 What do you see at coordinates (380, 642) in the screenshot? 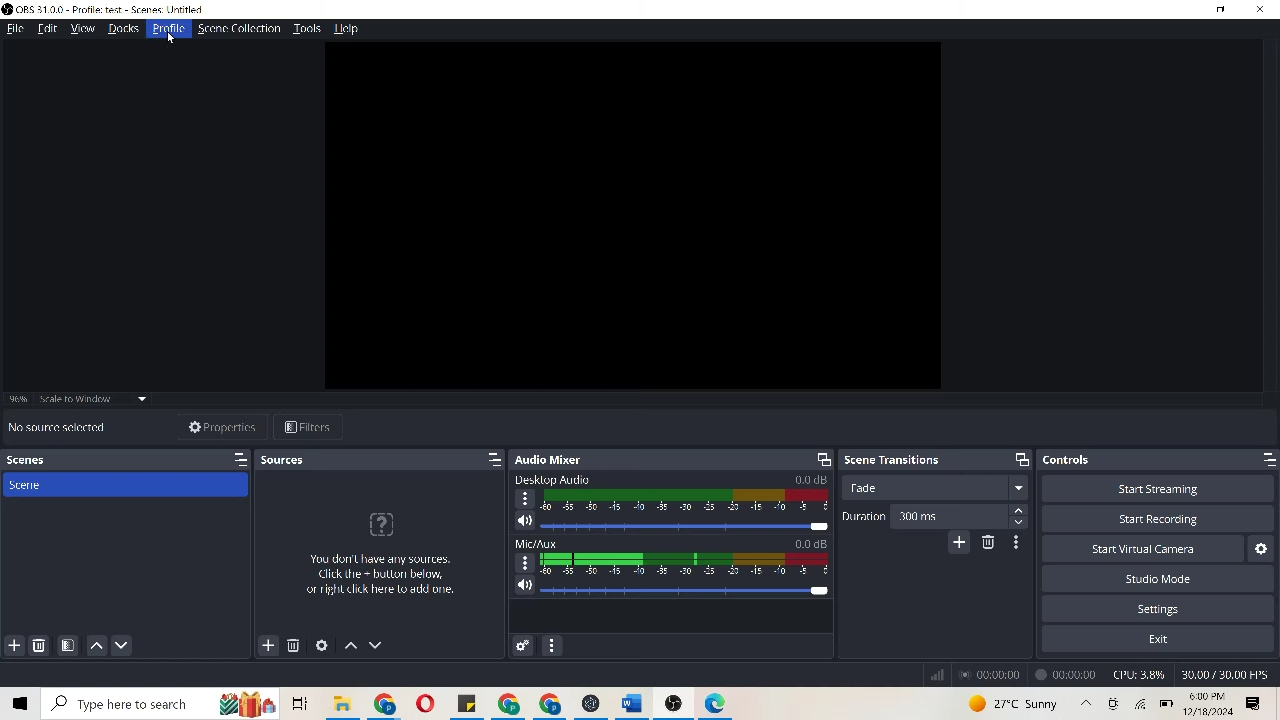
I see `move sources down` at bounding box center [380, 642].